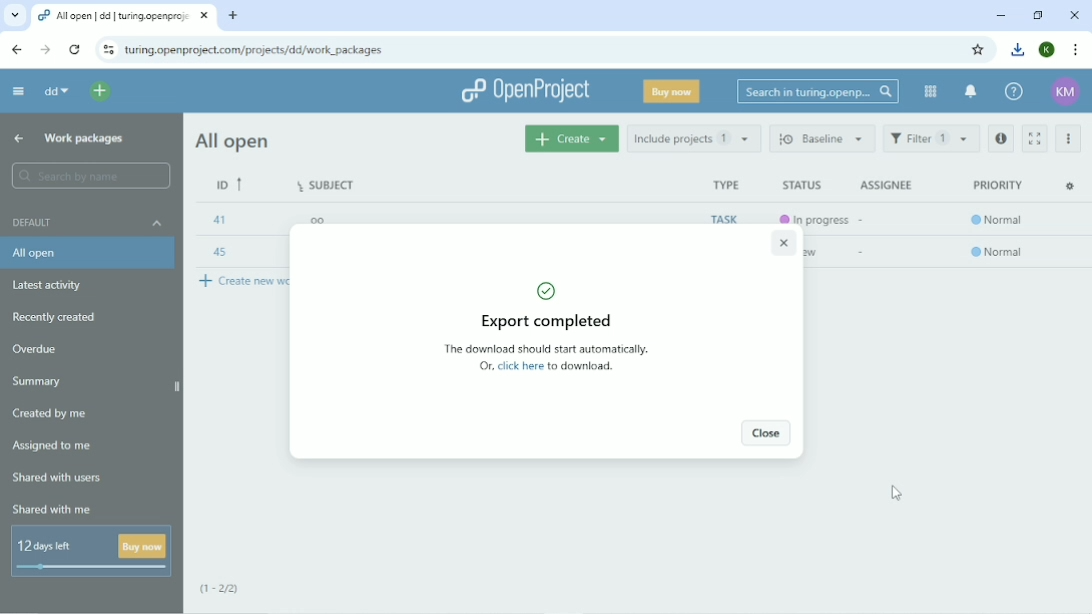 This screenshot has width=1092, height=614. Describe the element at coordinates (54, 510) in the screenshot. I see `Shared with me` at that location.